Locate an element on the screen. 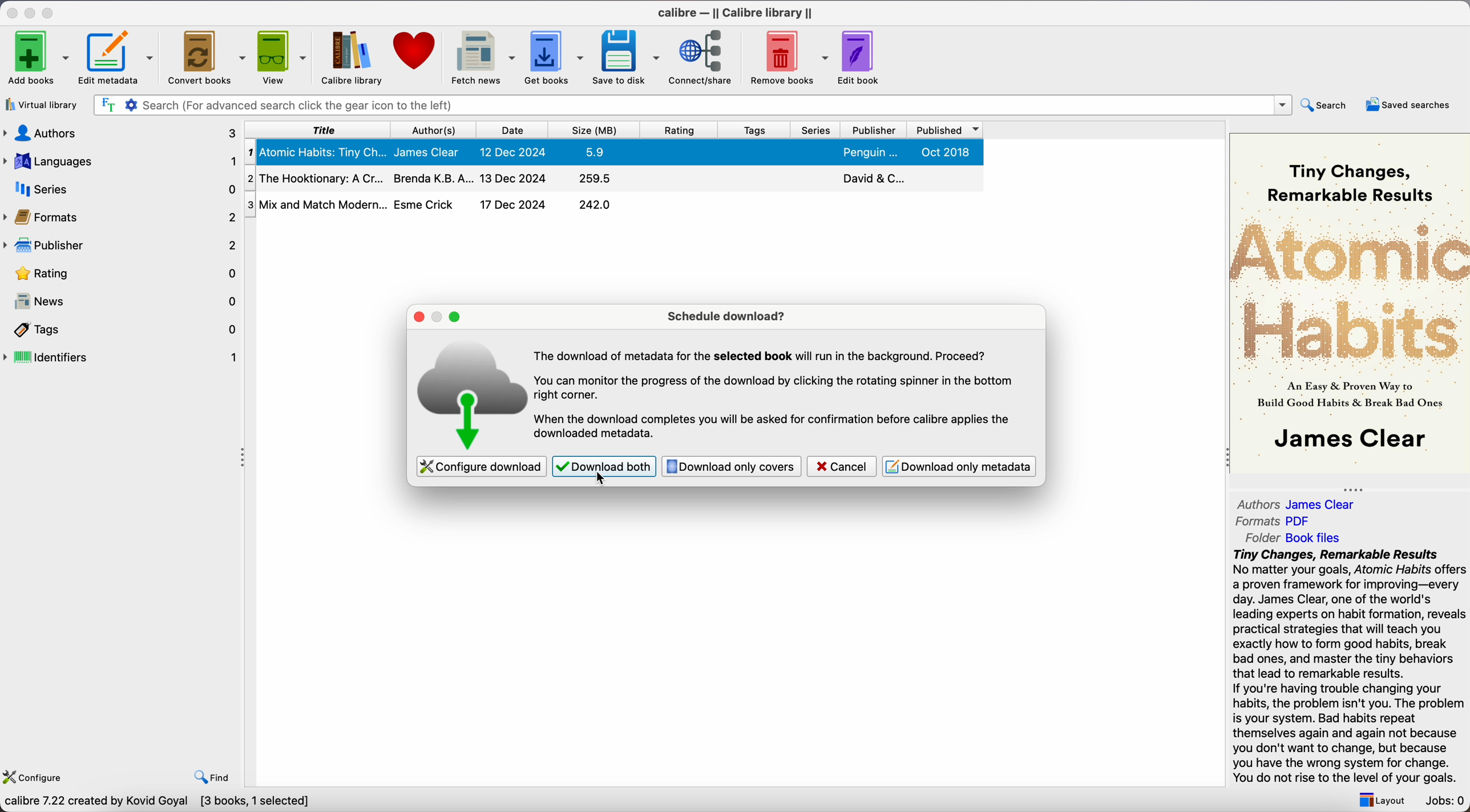 The image size is (1470, 812). minimize app is located at coordinates (32, 13).